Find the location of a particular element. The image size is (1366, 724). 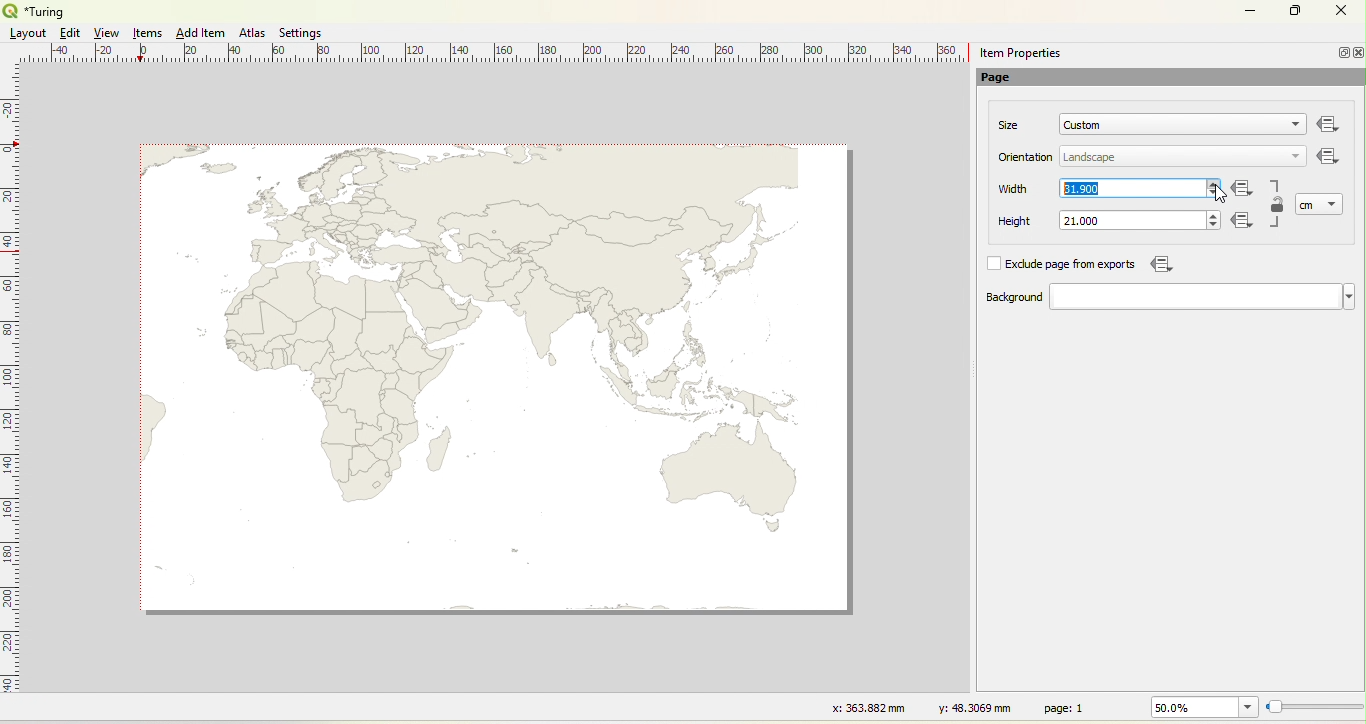

Background is located at coordinates (994, 298).